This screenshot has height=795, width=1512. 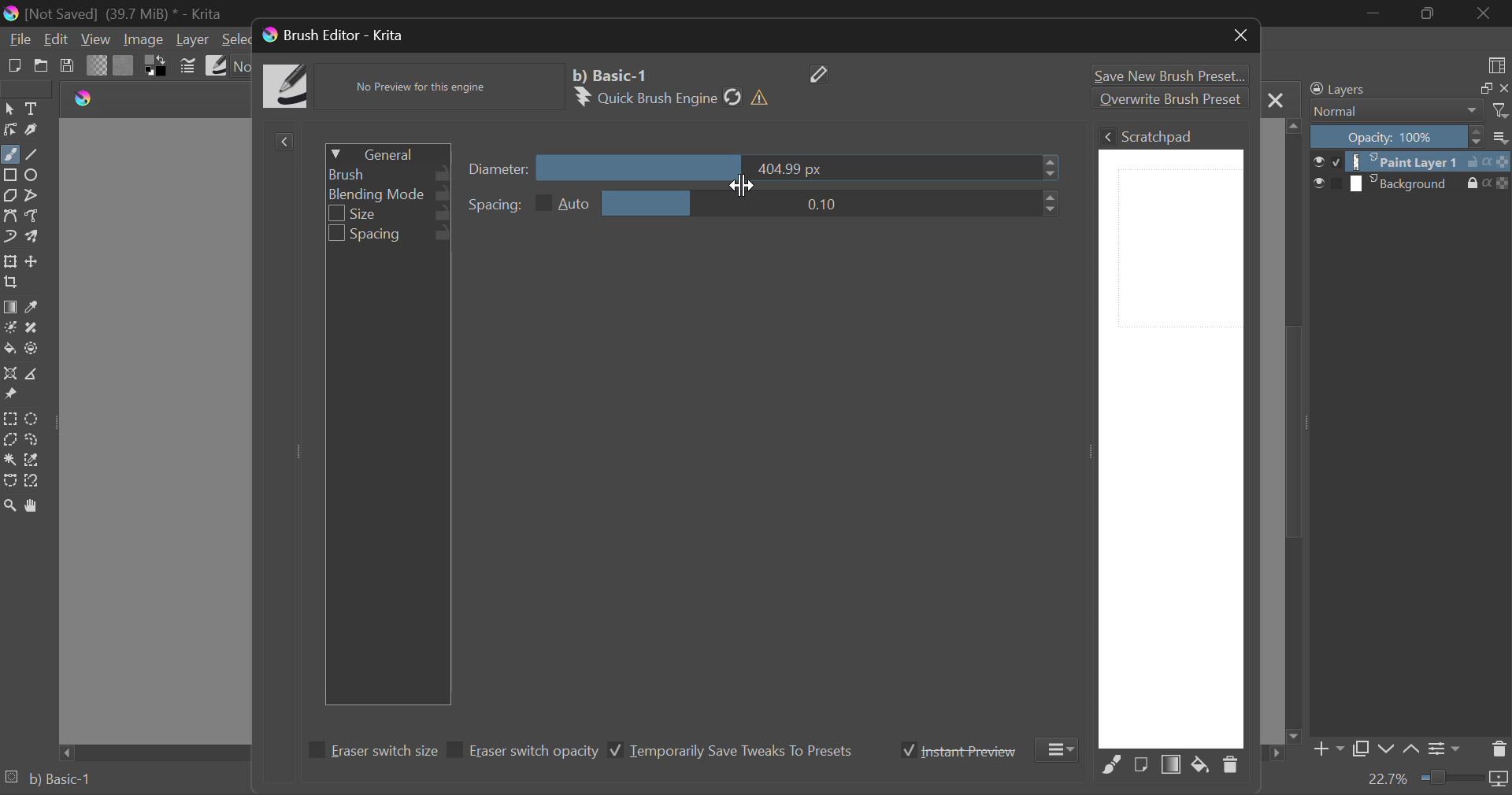 What do you see at coordinates (1199, 766) in the screenshot?
I see `Fill area with background color` at bounding box center [1199, 766].